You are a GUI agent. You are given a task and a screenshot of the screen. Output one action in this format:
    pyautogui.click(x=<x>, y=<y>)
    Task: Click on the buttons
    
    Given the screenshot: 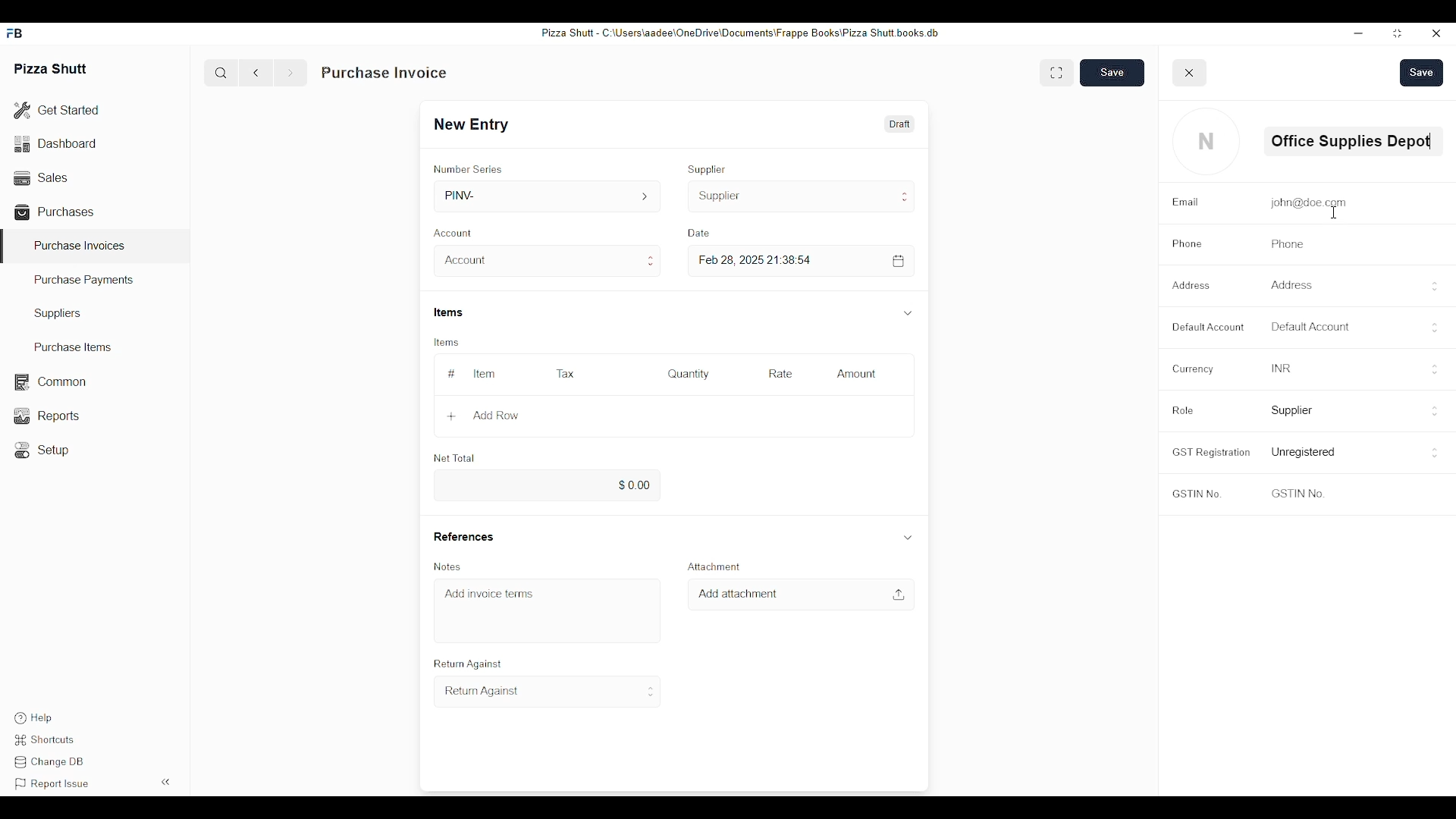 What is the action you would take?
    pyautogui.click(x=1432, y=328)
    